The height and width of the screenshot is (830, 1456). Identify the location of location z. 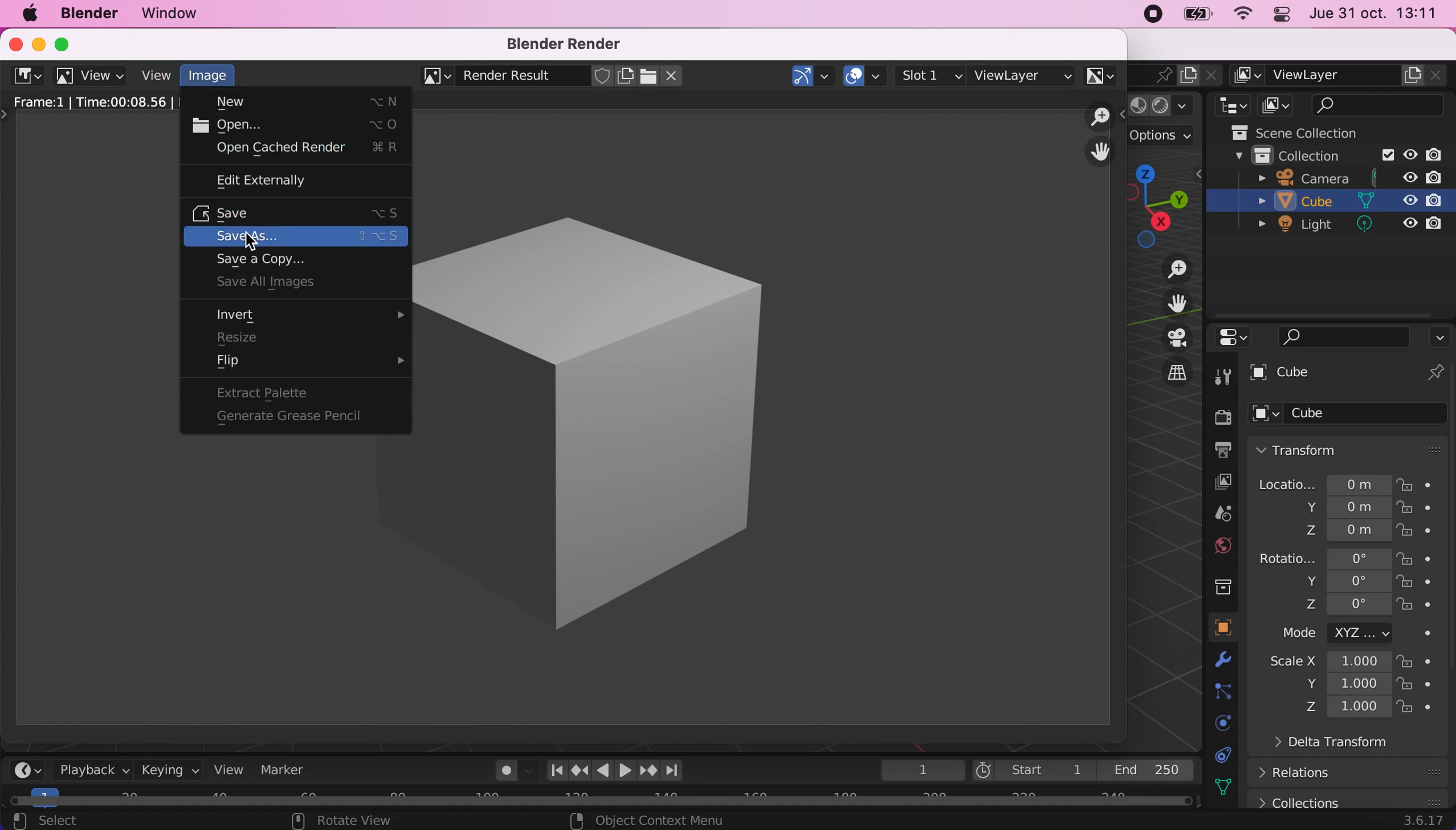
(1333, 529).